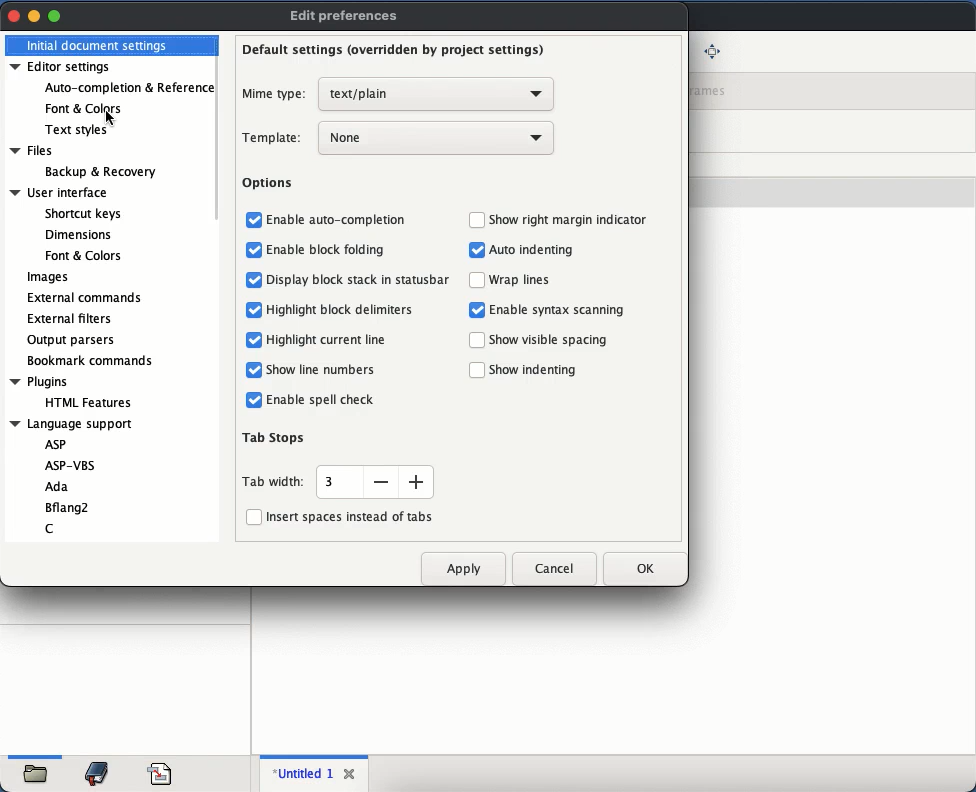 Image resolution: width=976 pixels, height=792 pixels. I want to click on tab stops, so click(278, 439).